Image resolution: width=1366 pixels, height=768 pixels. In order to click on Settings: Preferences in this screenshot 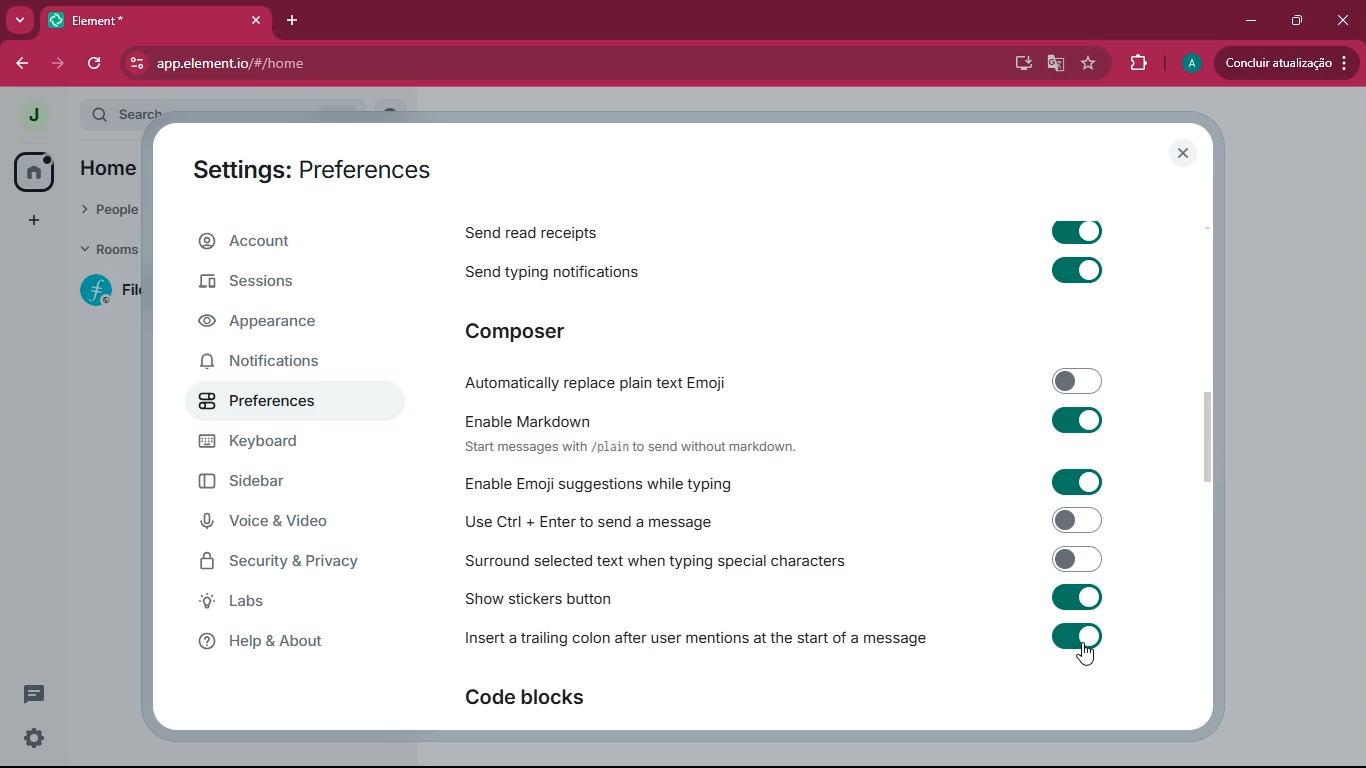, I will do `click(318, 168)`.